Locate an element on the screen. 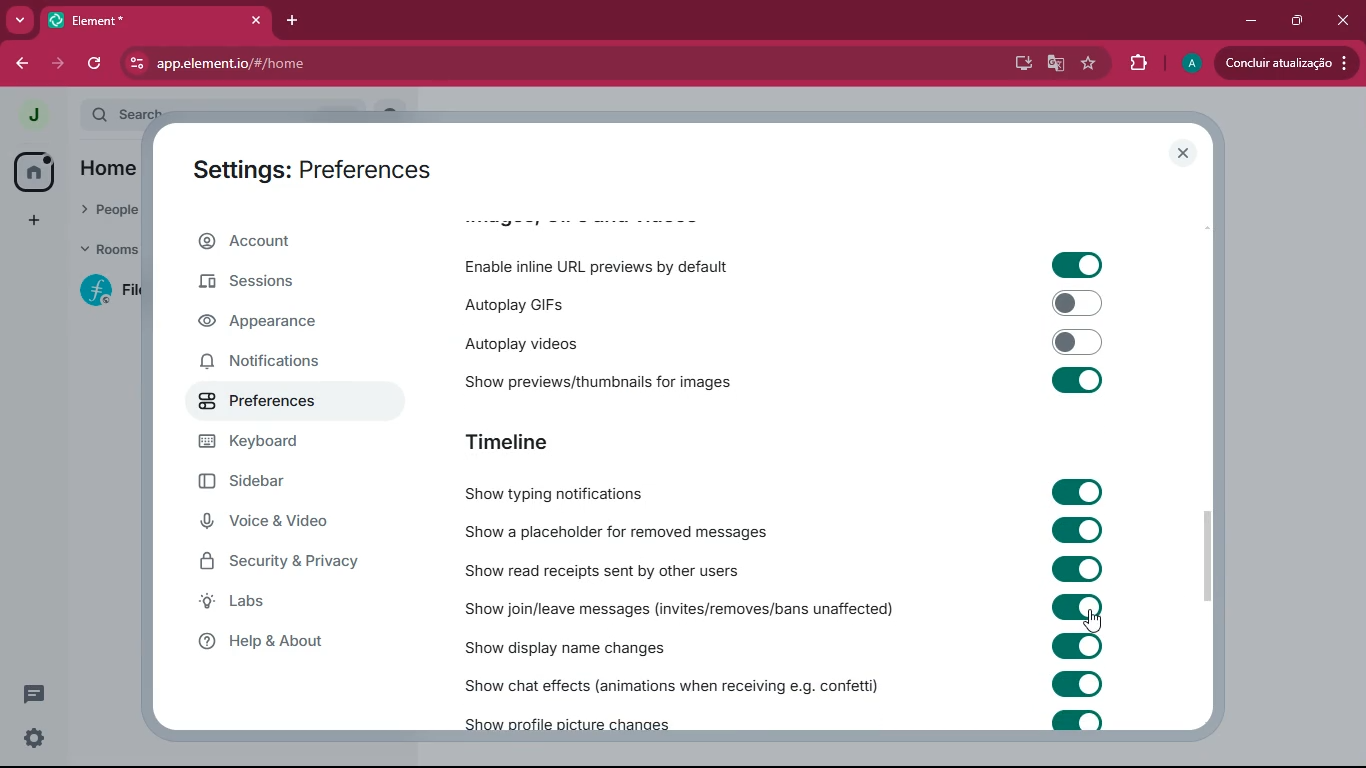  show join/leave messages (invites/removes/bans unaffected) is located at coordinates (673, 607).